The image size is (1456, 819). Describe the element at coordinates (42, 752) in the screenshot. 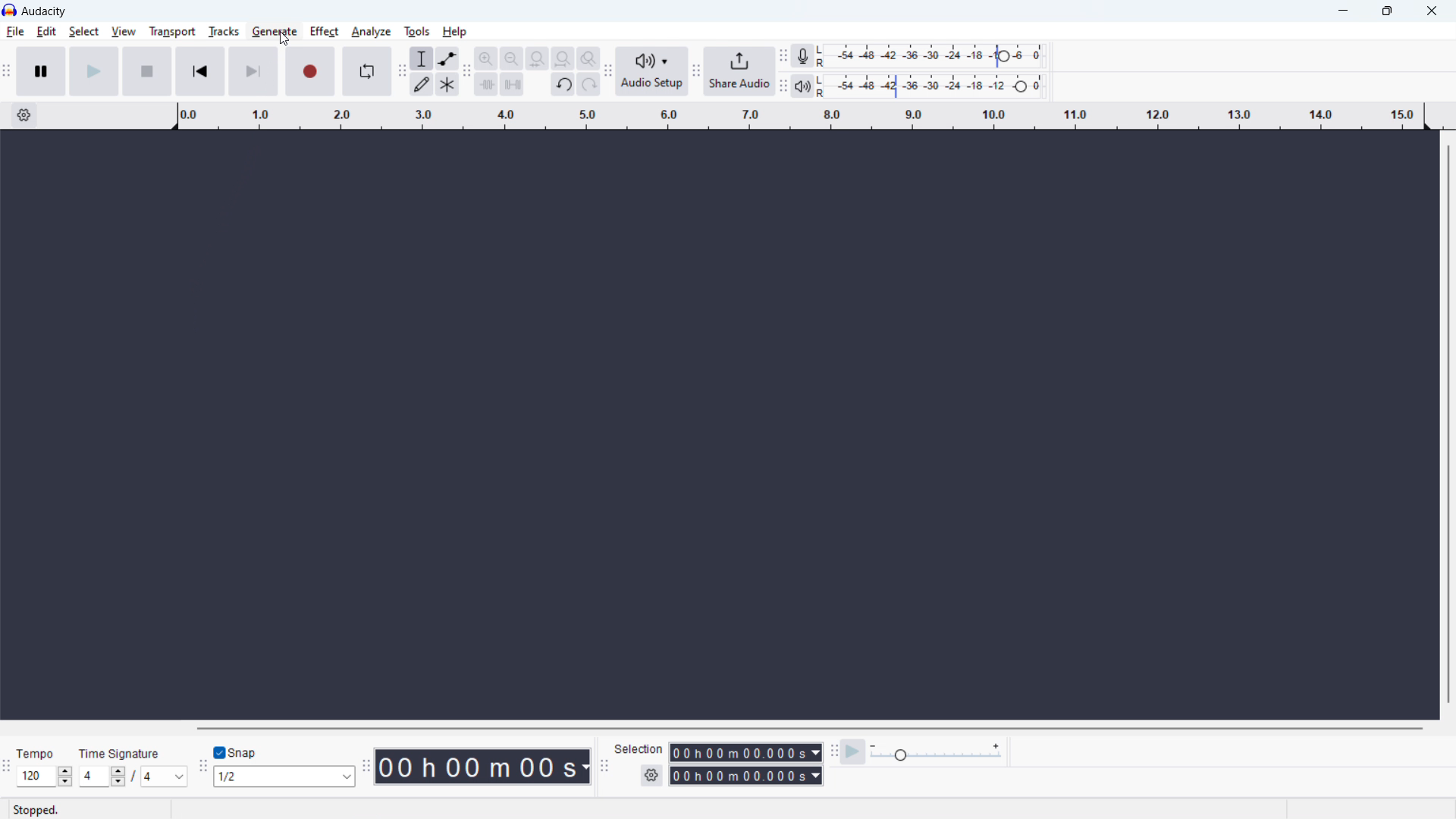

I see `tempo` at that location.